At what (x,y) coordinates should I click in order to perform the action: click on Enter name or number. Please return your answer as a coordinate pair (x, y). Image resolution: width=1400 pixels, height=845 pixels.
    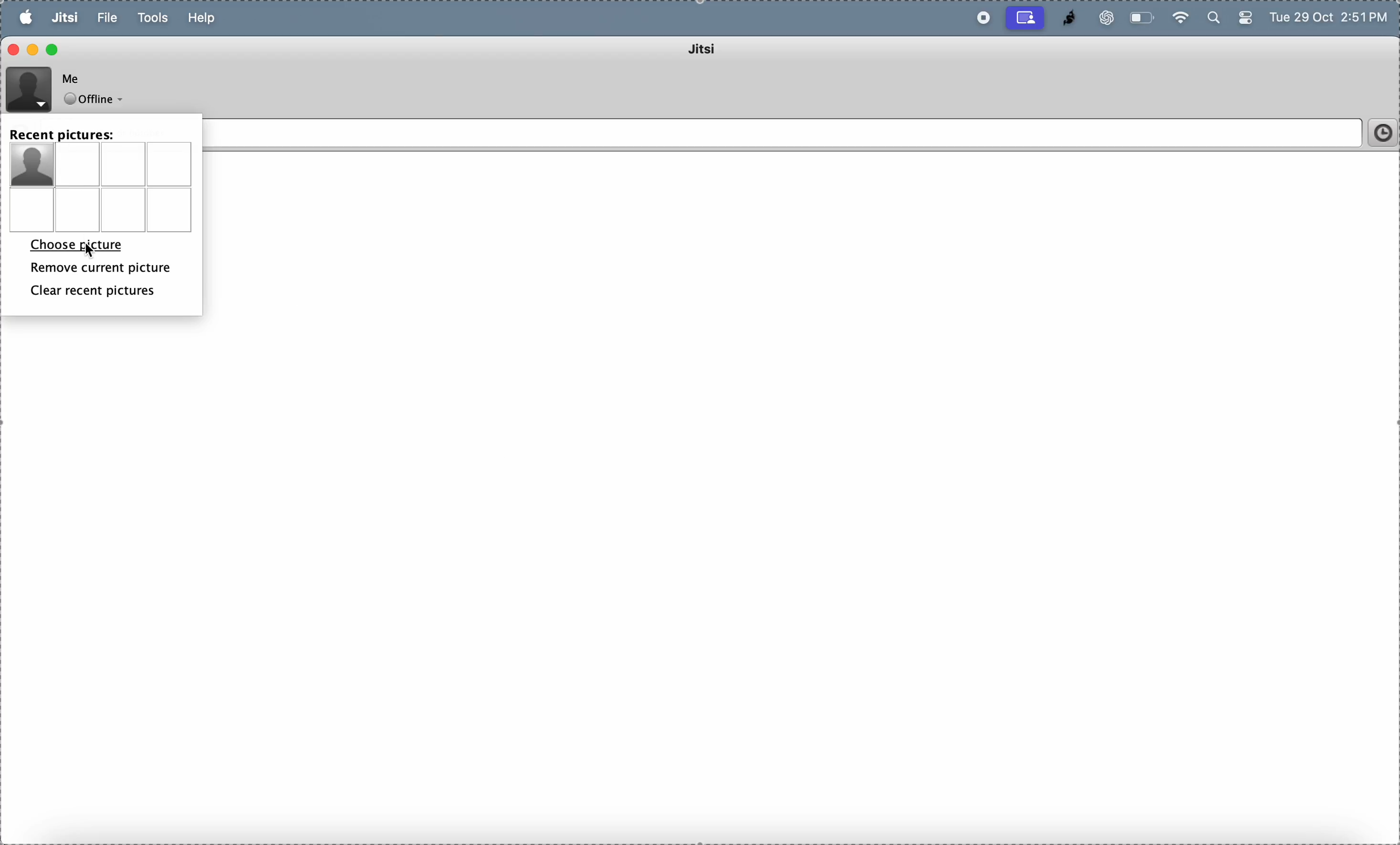
    Looking at the image, I should click on (718, 132).